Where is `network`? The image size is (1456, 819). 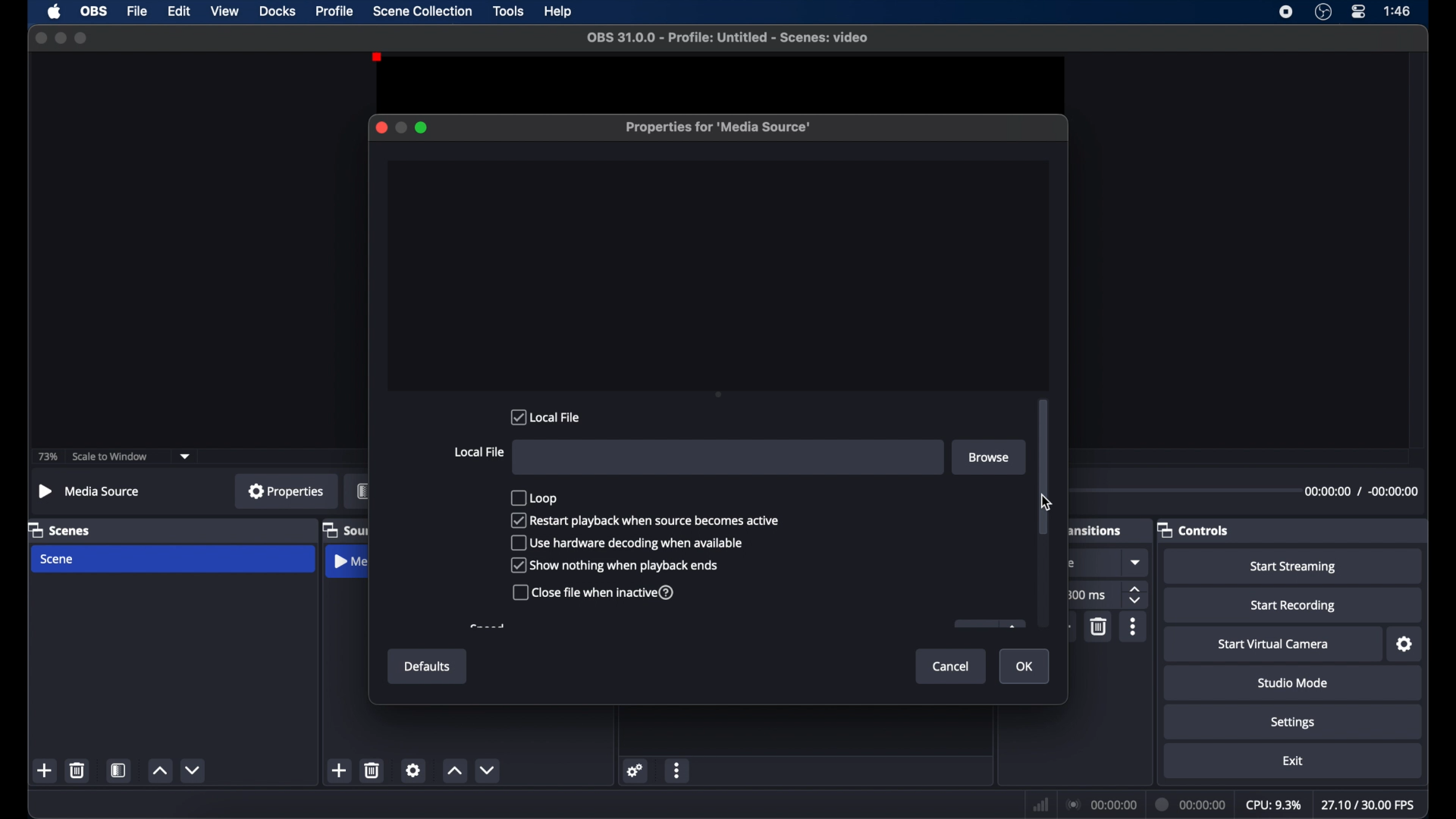
network is located at coordinates (1041, 806).